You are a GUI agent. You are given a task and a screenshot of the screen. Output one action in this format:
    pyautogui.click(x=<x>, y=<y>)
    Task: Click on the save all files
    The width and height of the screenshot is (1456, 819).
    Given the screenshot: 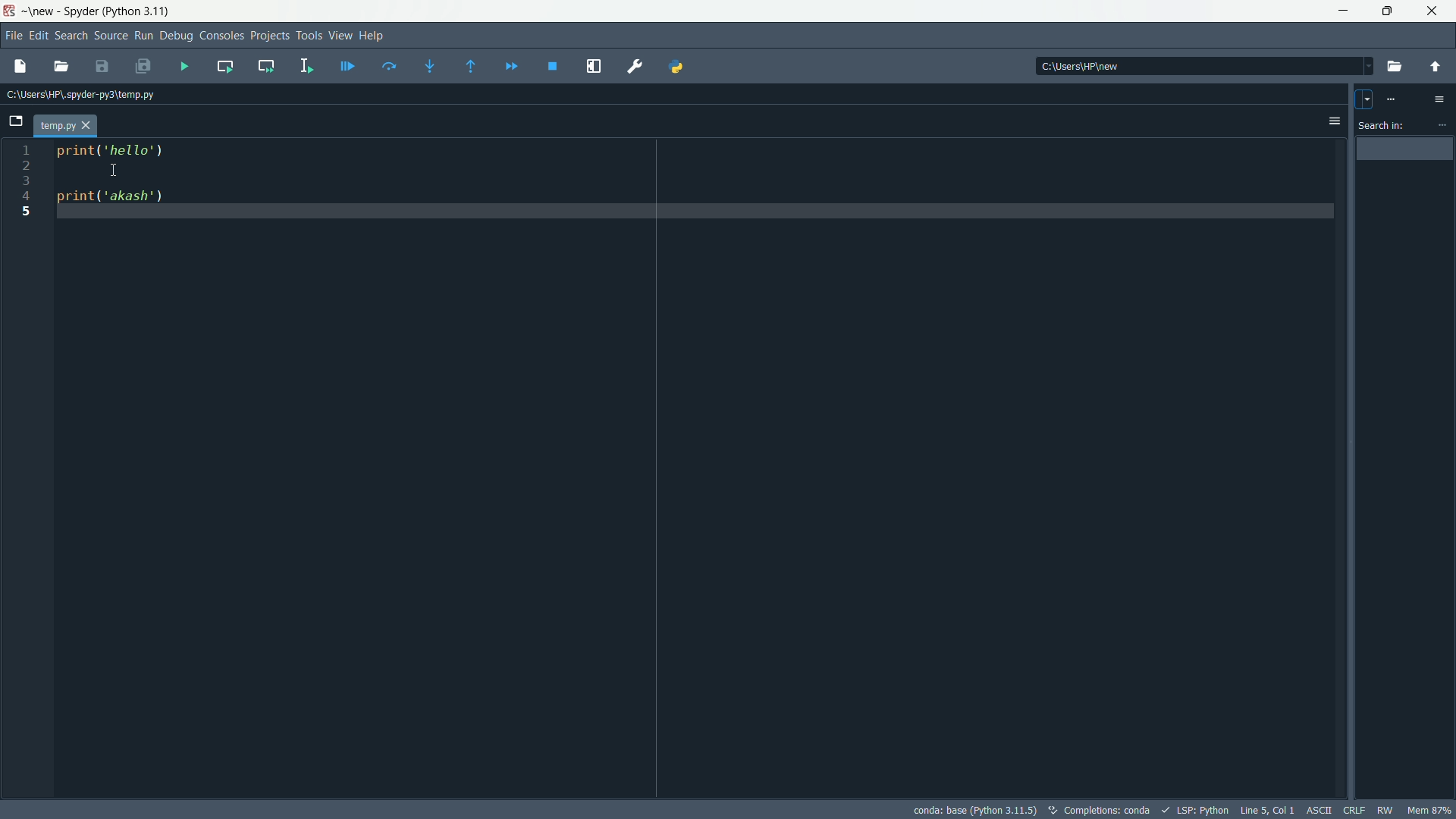 What is the action you would take?
    pyautogui.click(x=145, y=65)
    